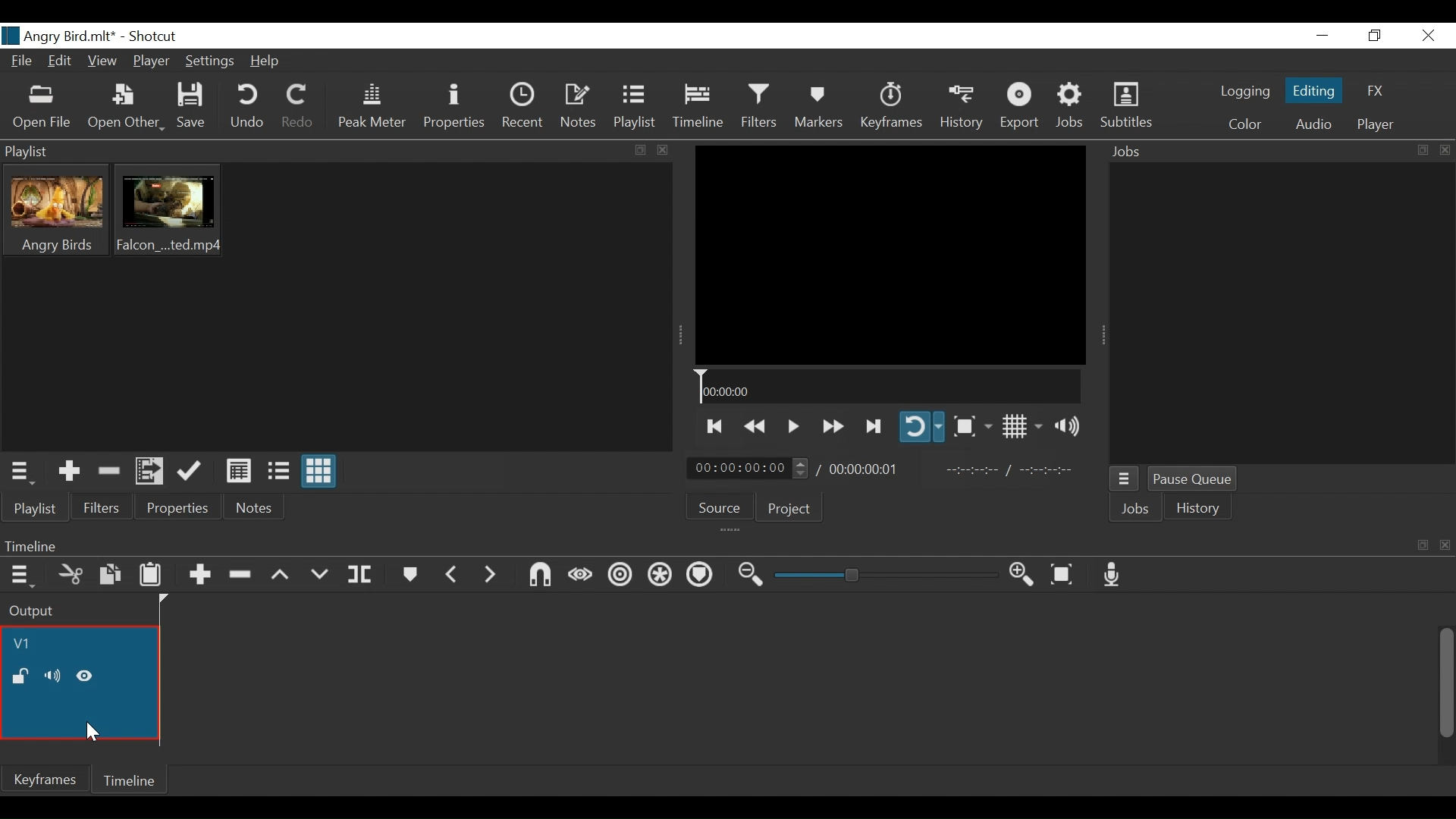  I want to click on Current position, so click(748, 468).